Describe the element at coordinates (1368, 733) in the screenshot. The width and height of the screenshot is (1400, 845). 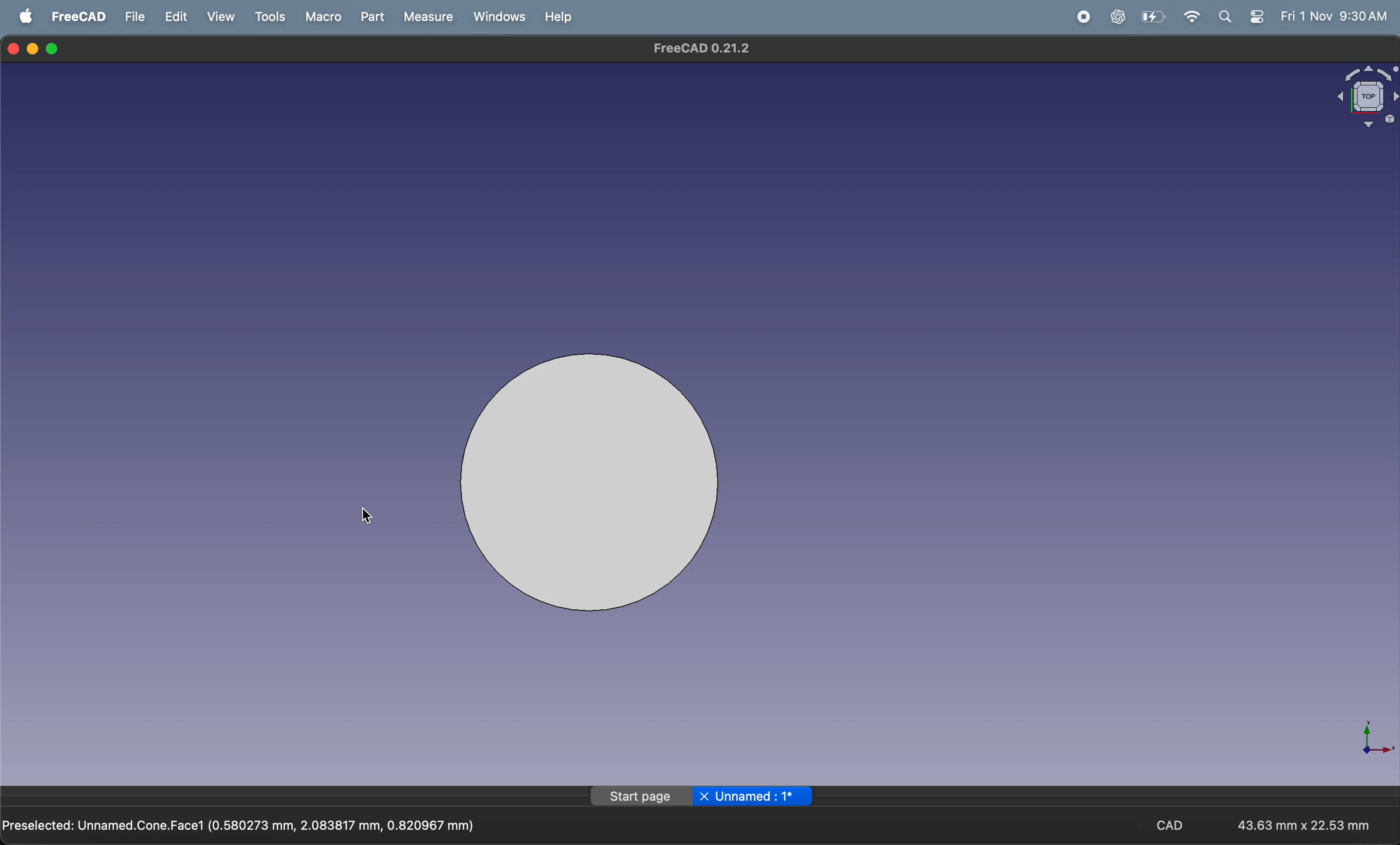
I see `Axis` at that location.